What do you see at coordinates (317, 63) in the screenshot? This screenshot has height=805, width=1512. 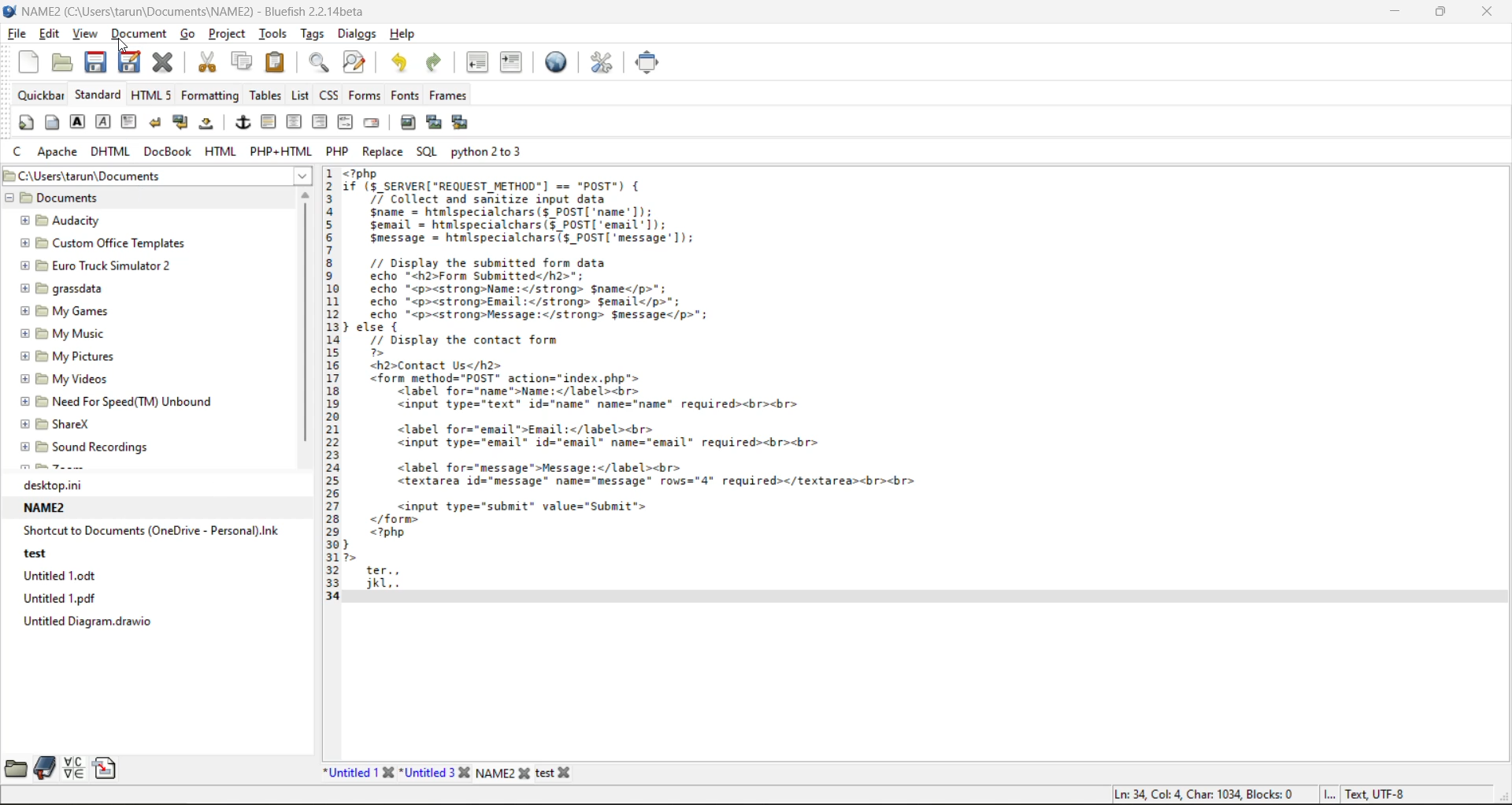 I see `find` at bounding box center [317, 63].